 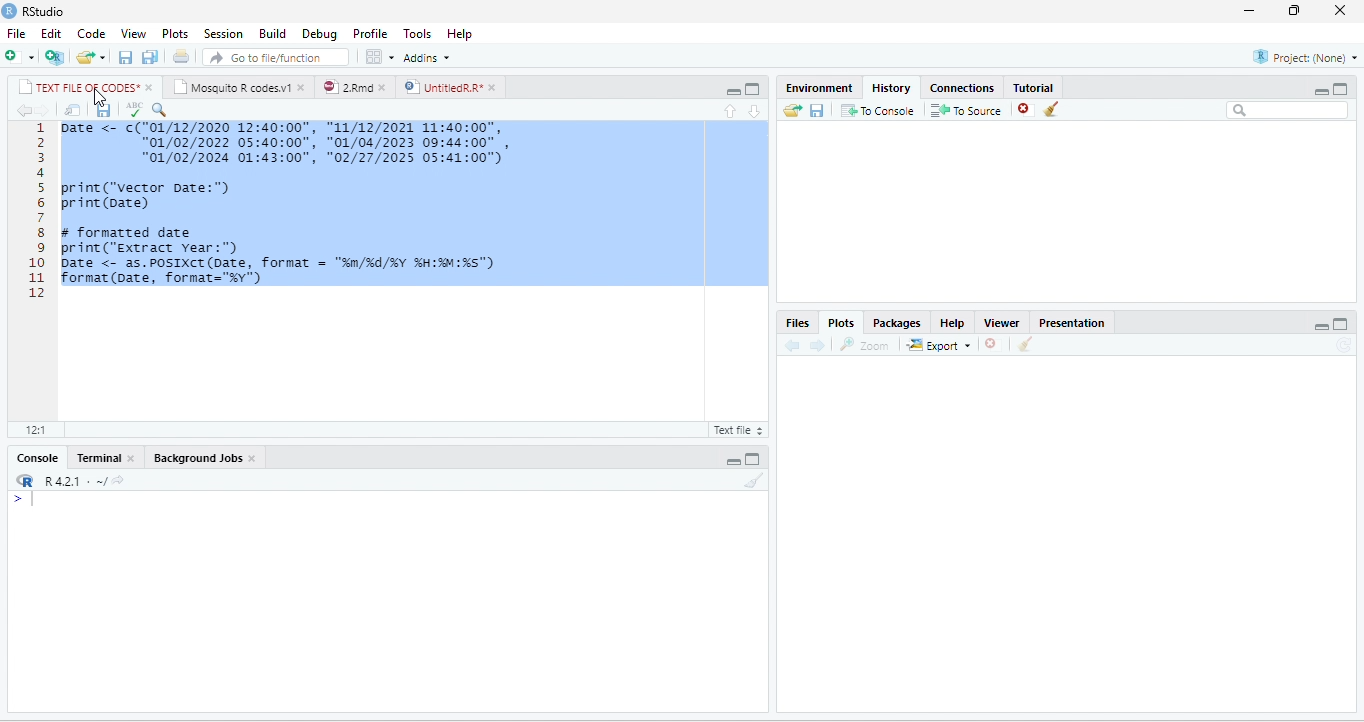 I want to click on RStudio, so click(x=46, y=12).